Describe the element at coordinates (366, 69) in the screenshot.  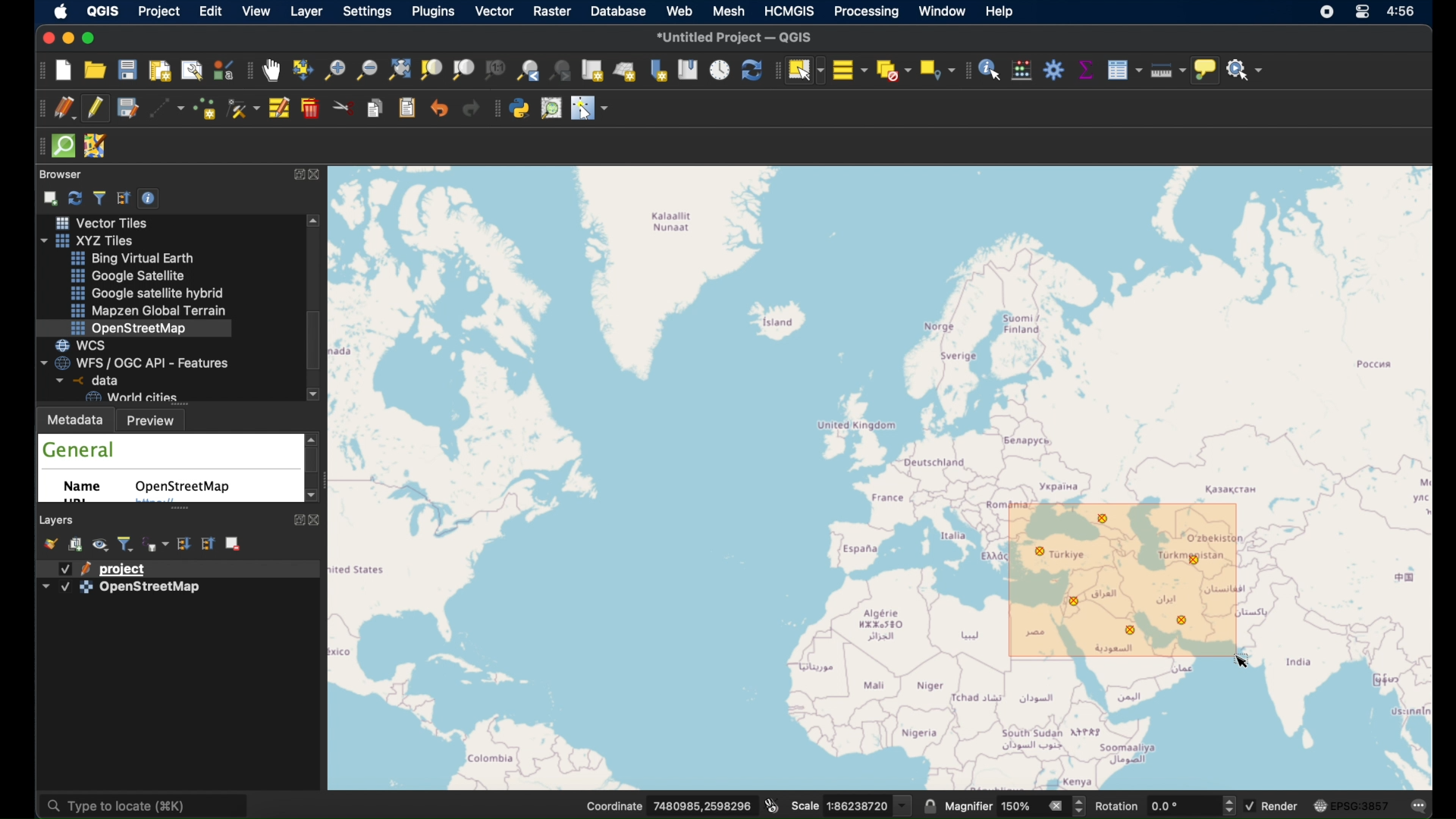
I see `zoom out` at that location.